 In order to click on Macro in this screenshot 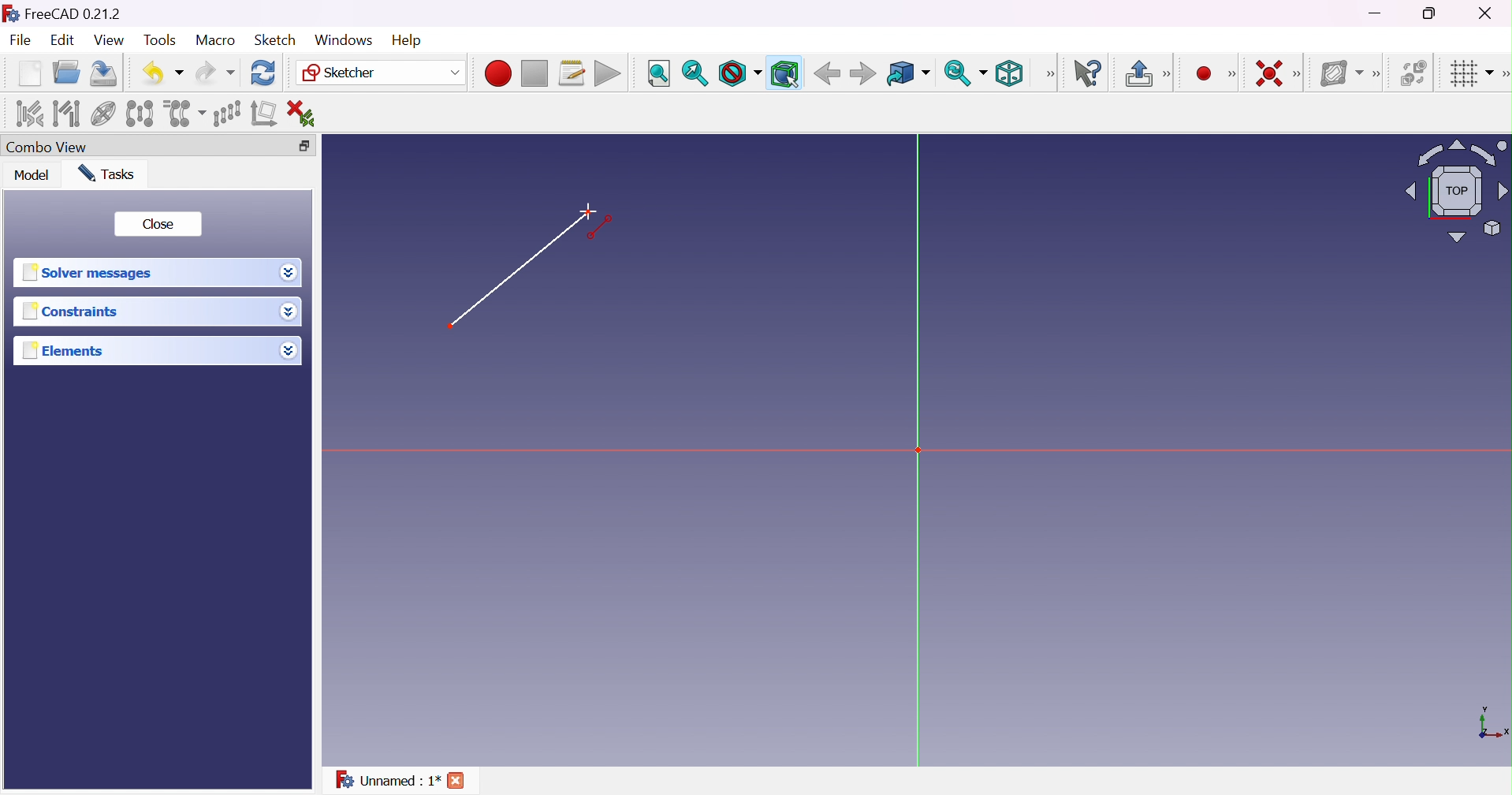, I will do `click(214, 40)`.